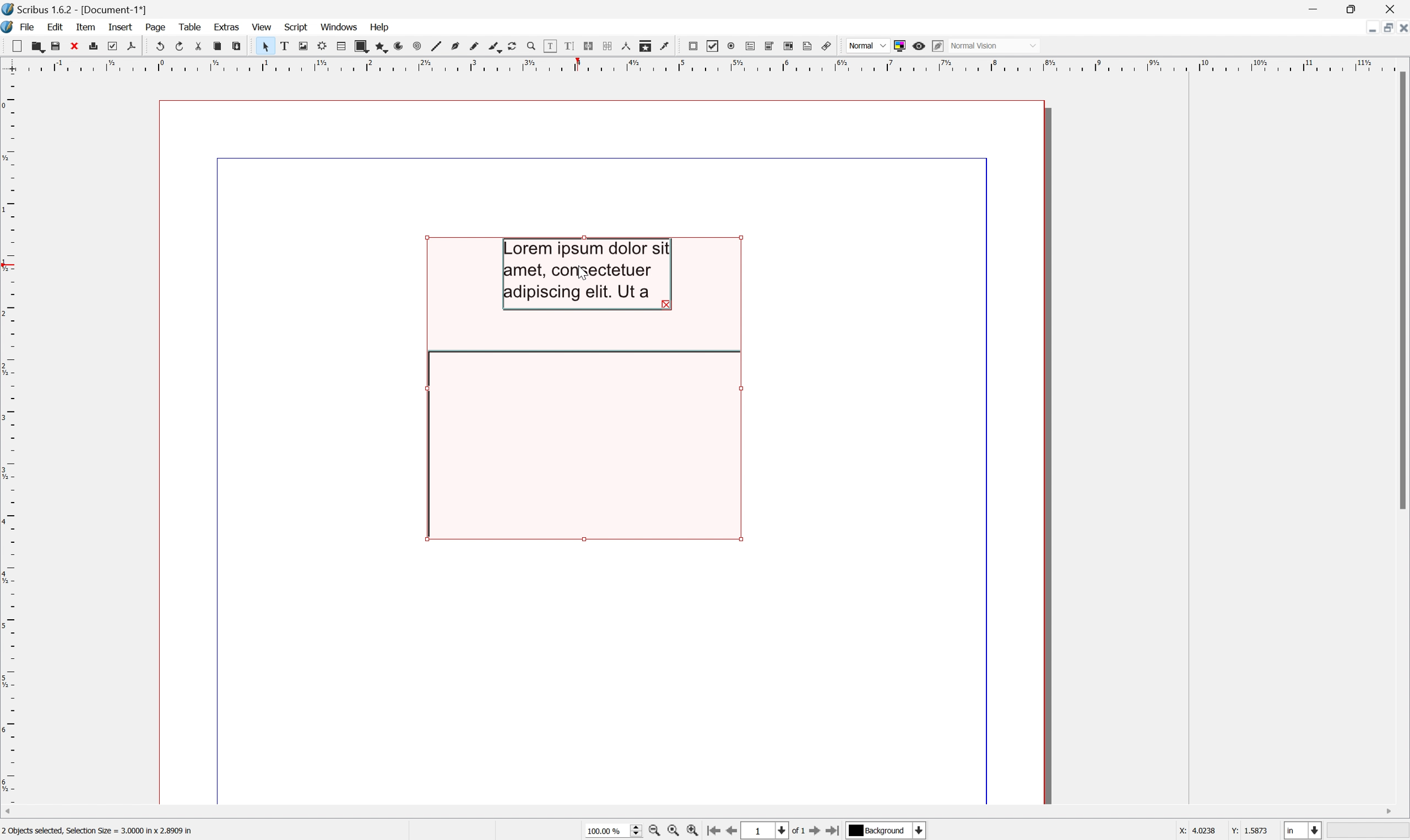 The height and width of the screenshot is (840, 1410). I want to click on Spiral, so click(417, 46).